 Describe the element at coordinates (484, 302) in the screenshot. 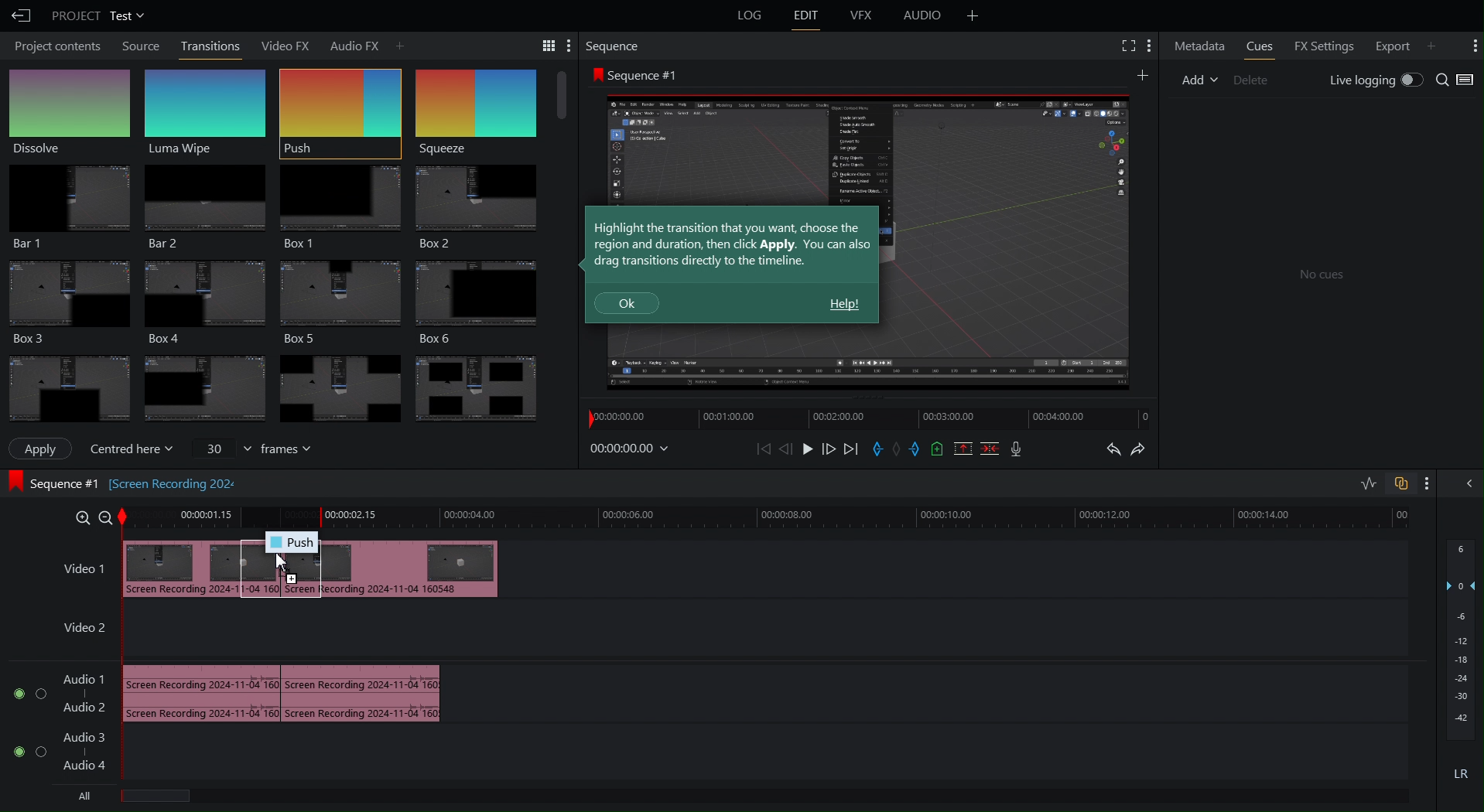

I see `Box 6` at that location.